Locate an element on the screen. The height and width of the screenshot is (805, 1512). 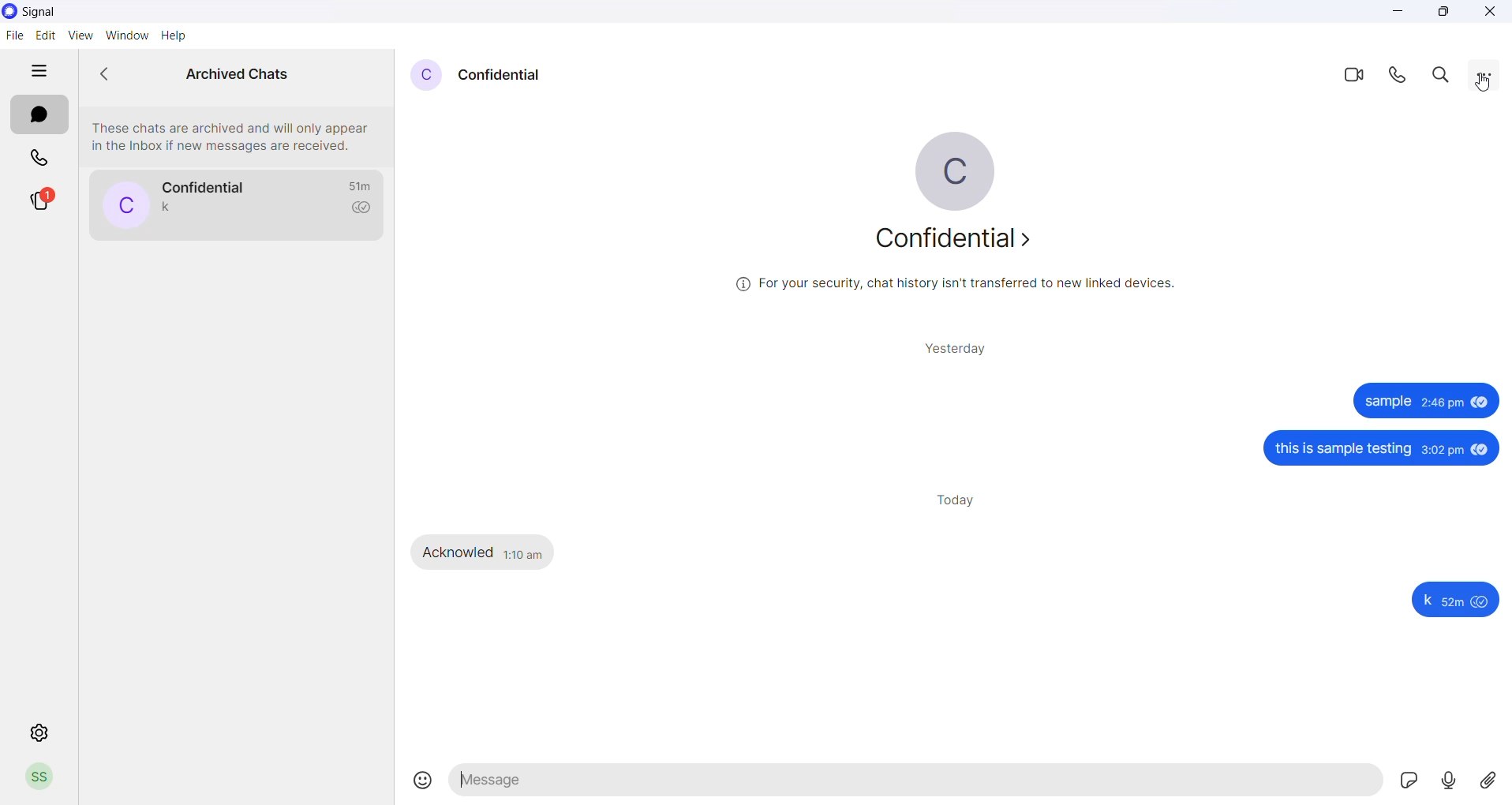
Help is located at coordinates (175, 36).